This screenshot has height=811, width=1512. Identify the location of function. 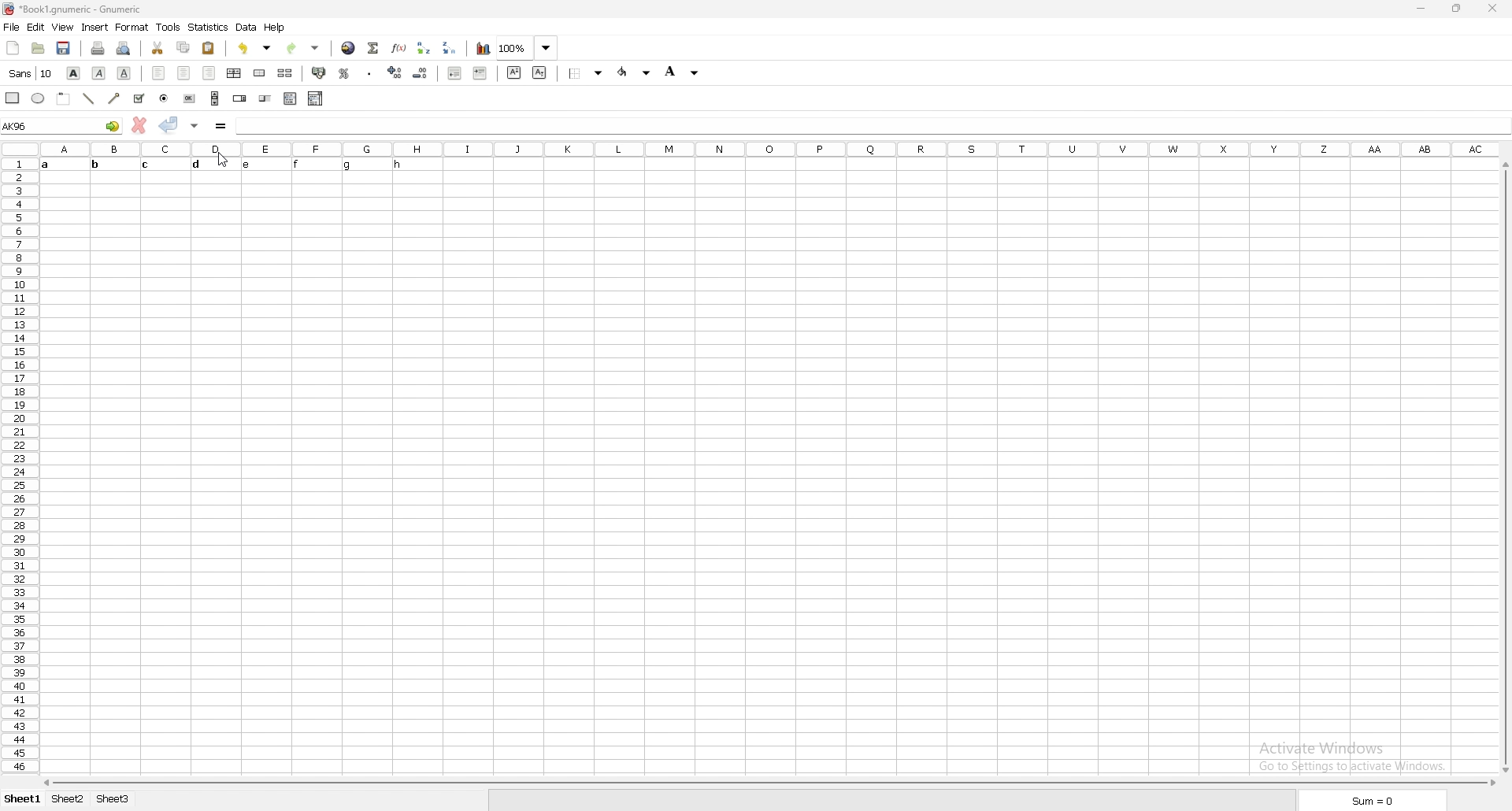
(398, 48).